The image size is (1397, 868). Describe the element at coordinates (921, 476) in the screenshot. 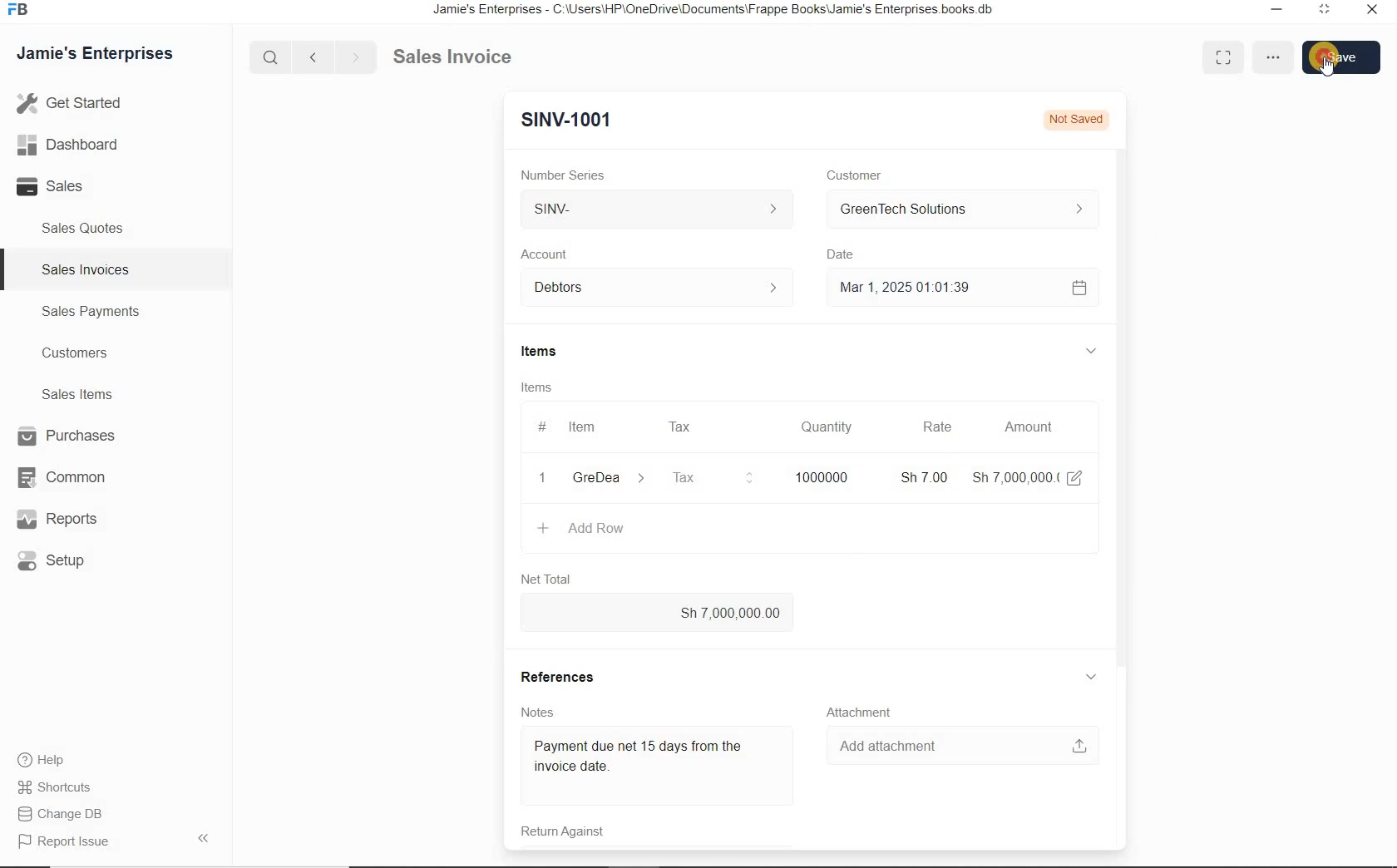

I see `Sh 7.00` at that location.